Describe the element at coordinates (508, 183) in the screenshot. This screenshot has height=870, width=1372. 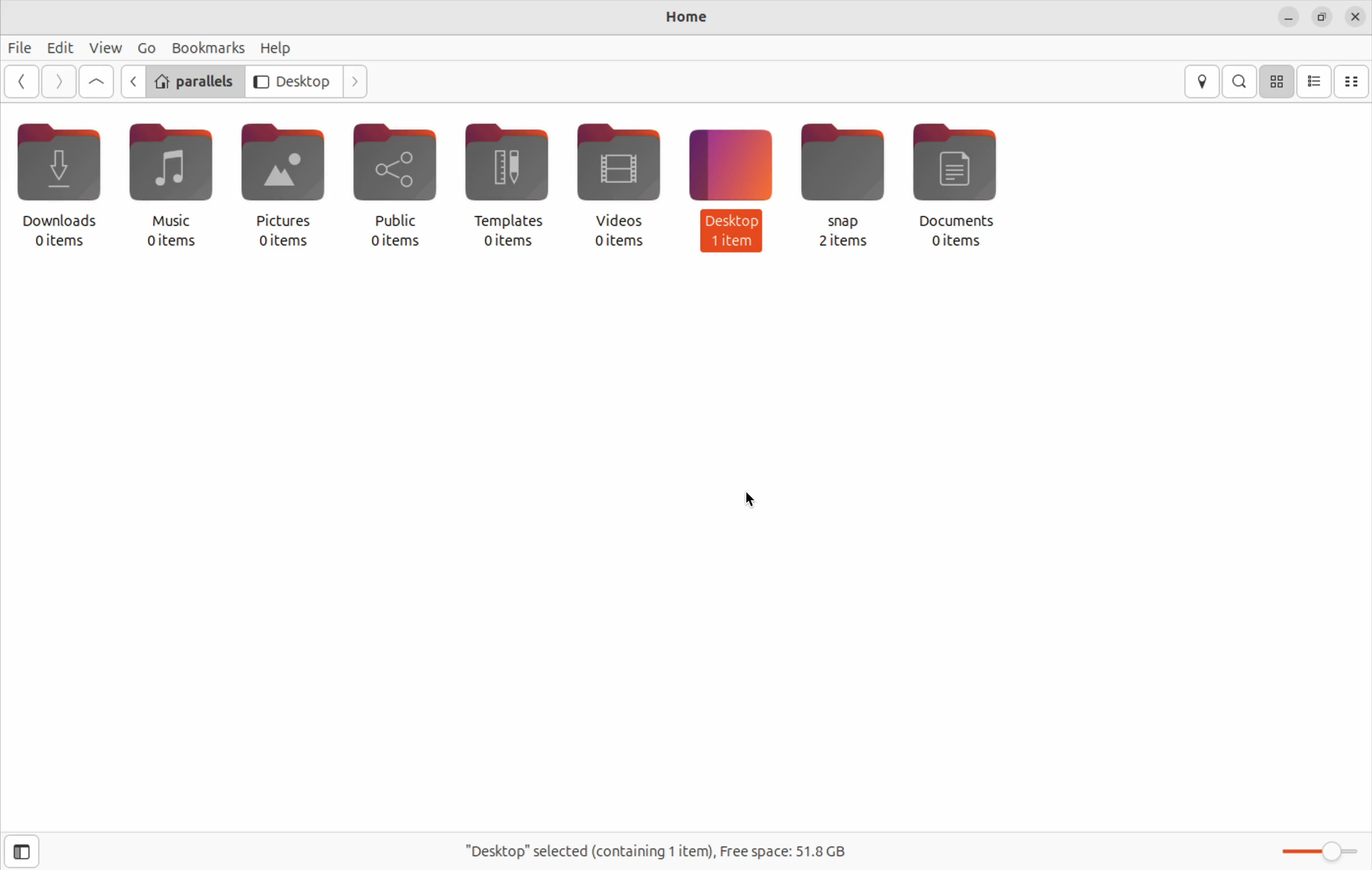
I see `templates 0 items` at that location.